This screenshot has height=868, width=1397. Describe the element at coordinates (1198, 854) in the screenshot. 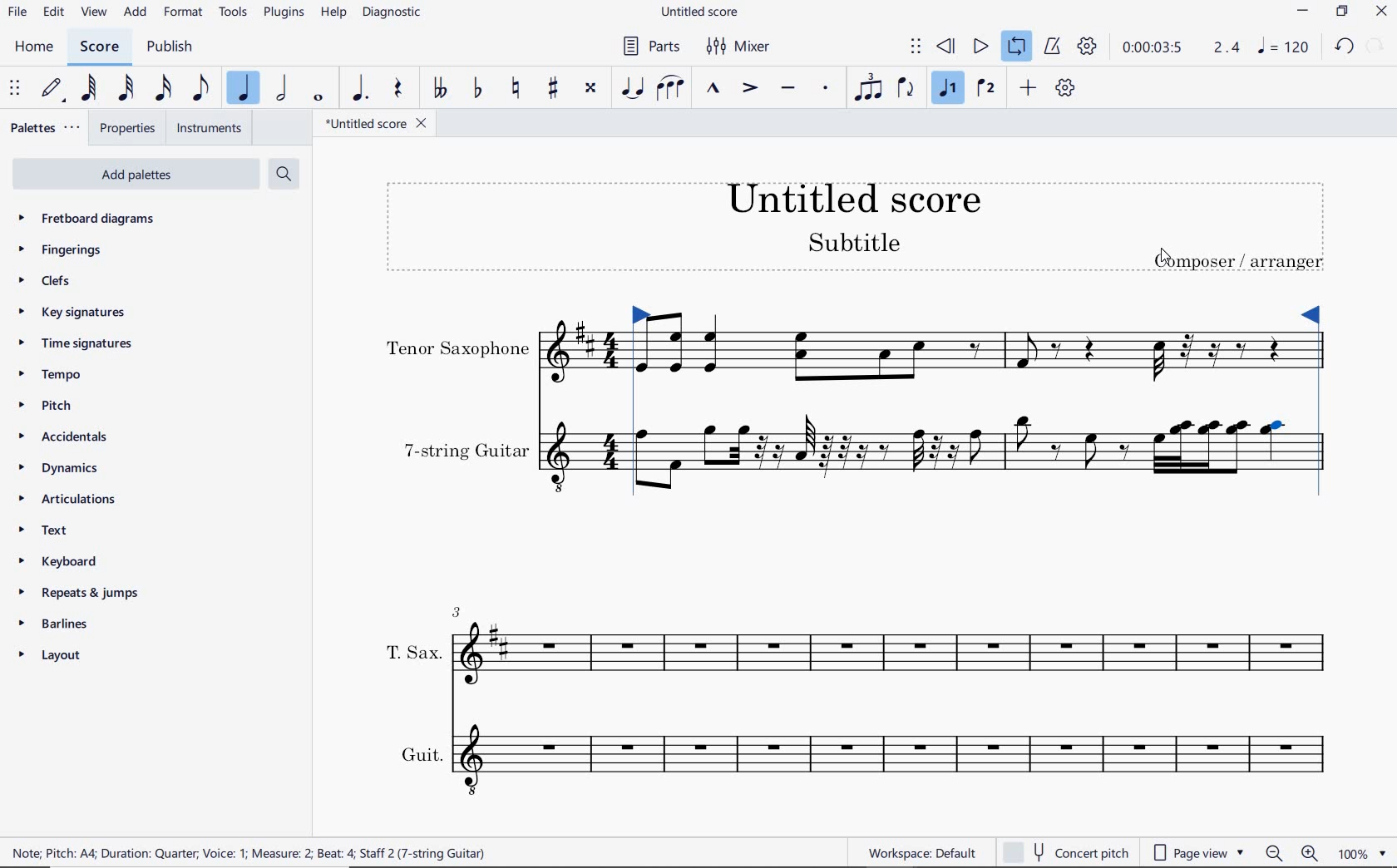

I see `page view` at that location.